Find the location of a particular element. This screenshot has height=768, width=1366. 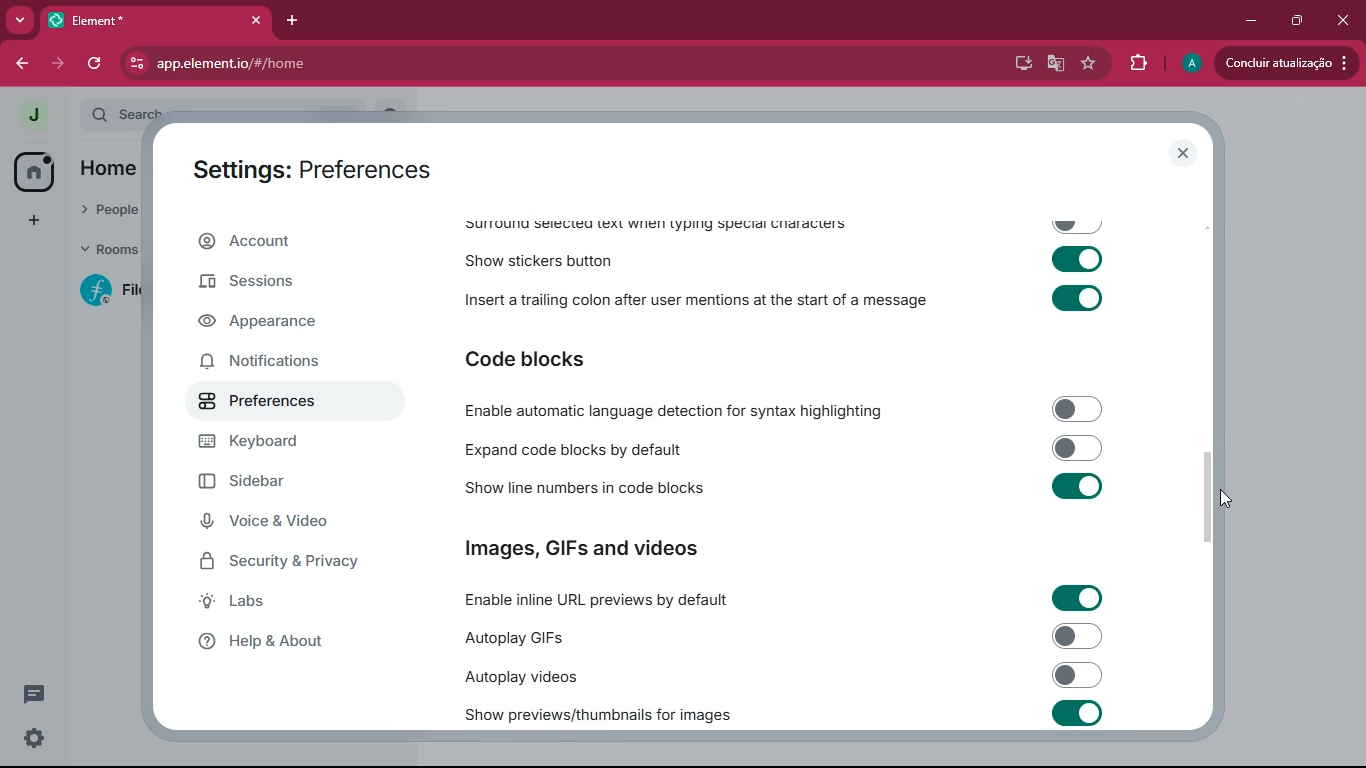

code blocks  is located at coordinates (537, 357).